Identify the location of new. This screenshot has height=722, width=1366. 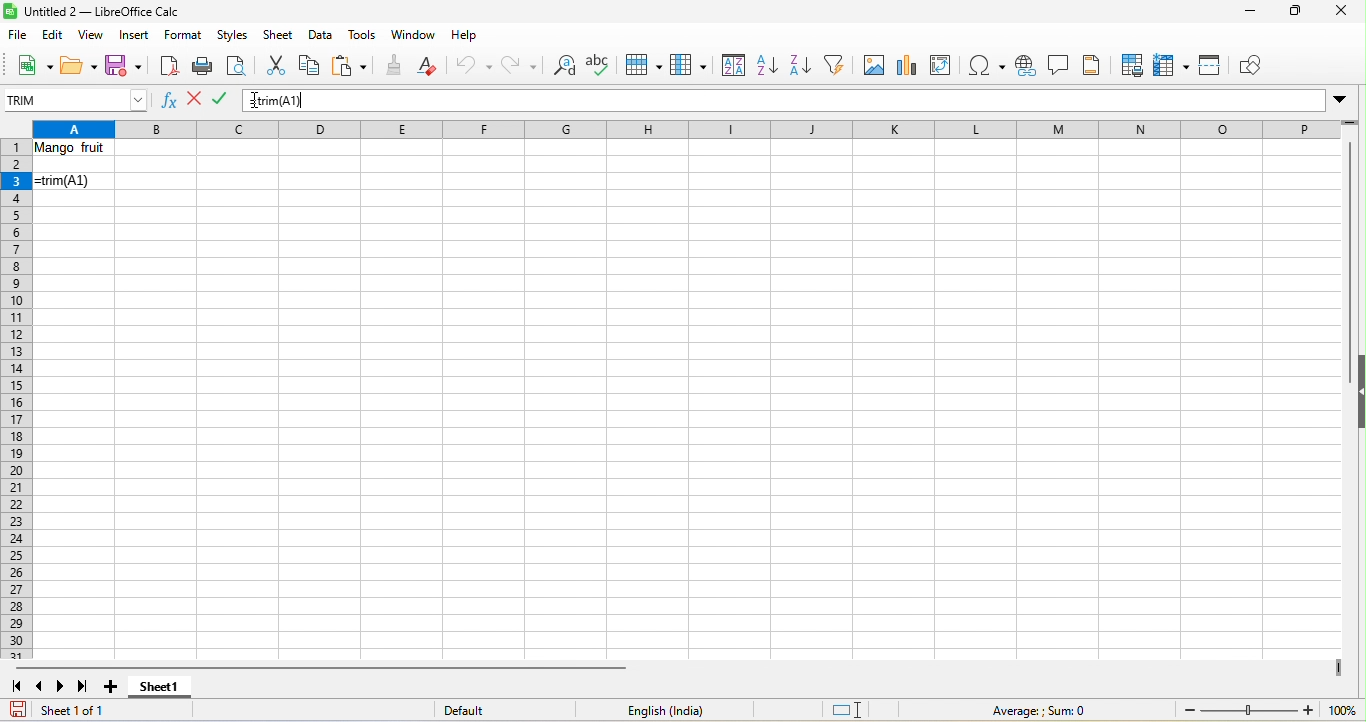
(31, 65).